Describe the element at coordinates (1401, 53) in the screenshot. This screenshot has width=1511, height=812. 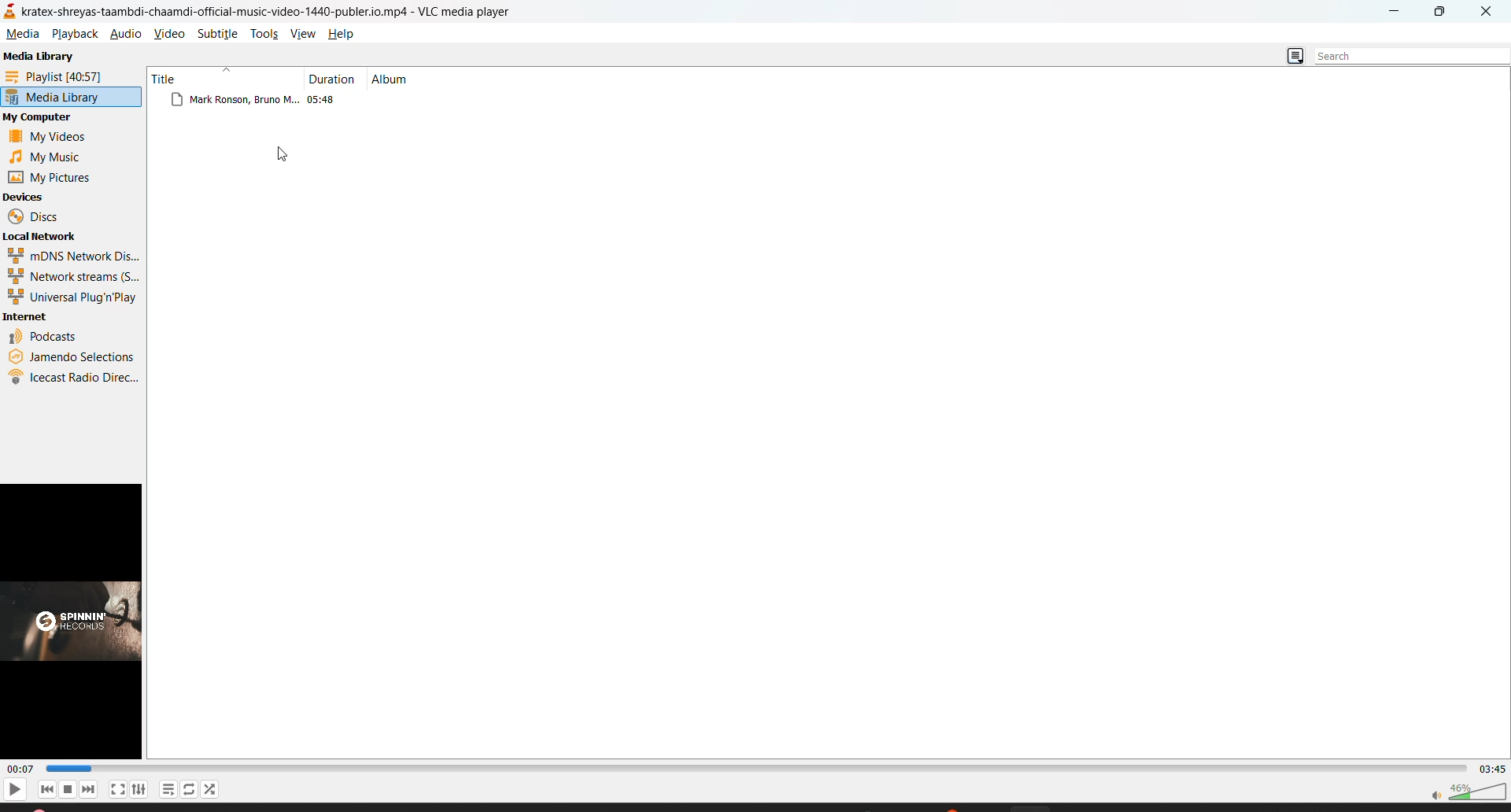
I see `search` at that location.